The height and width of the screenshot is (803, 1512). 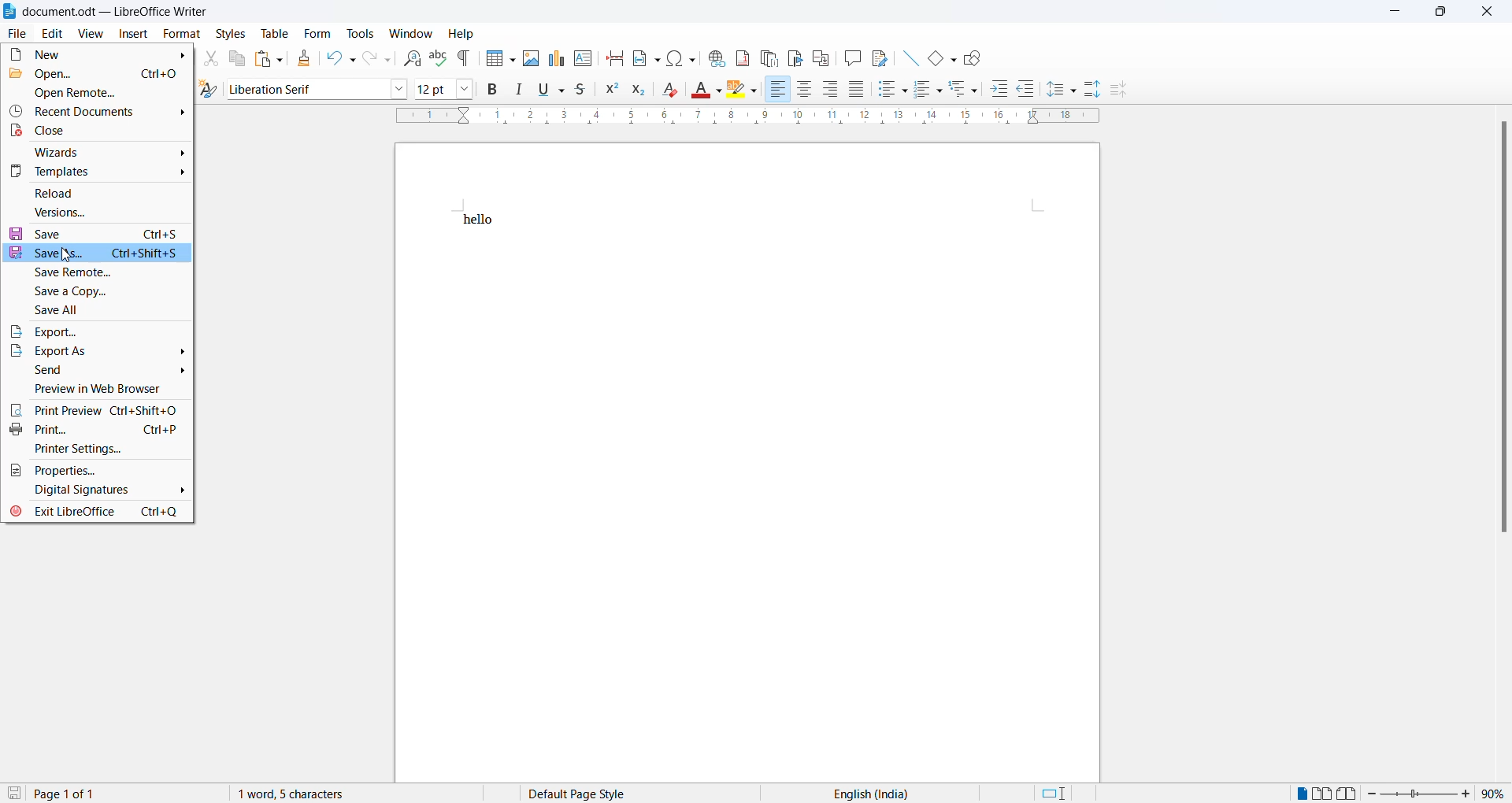 What do you see at coordinates (682, 58) in the screenshot?
I see `Insert a special character` at bounding box center [682, 58].